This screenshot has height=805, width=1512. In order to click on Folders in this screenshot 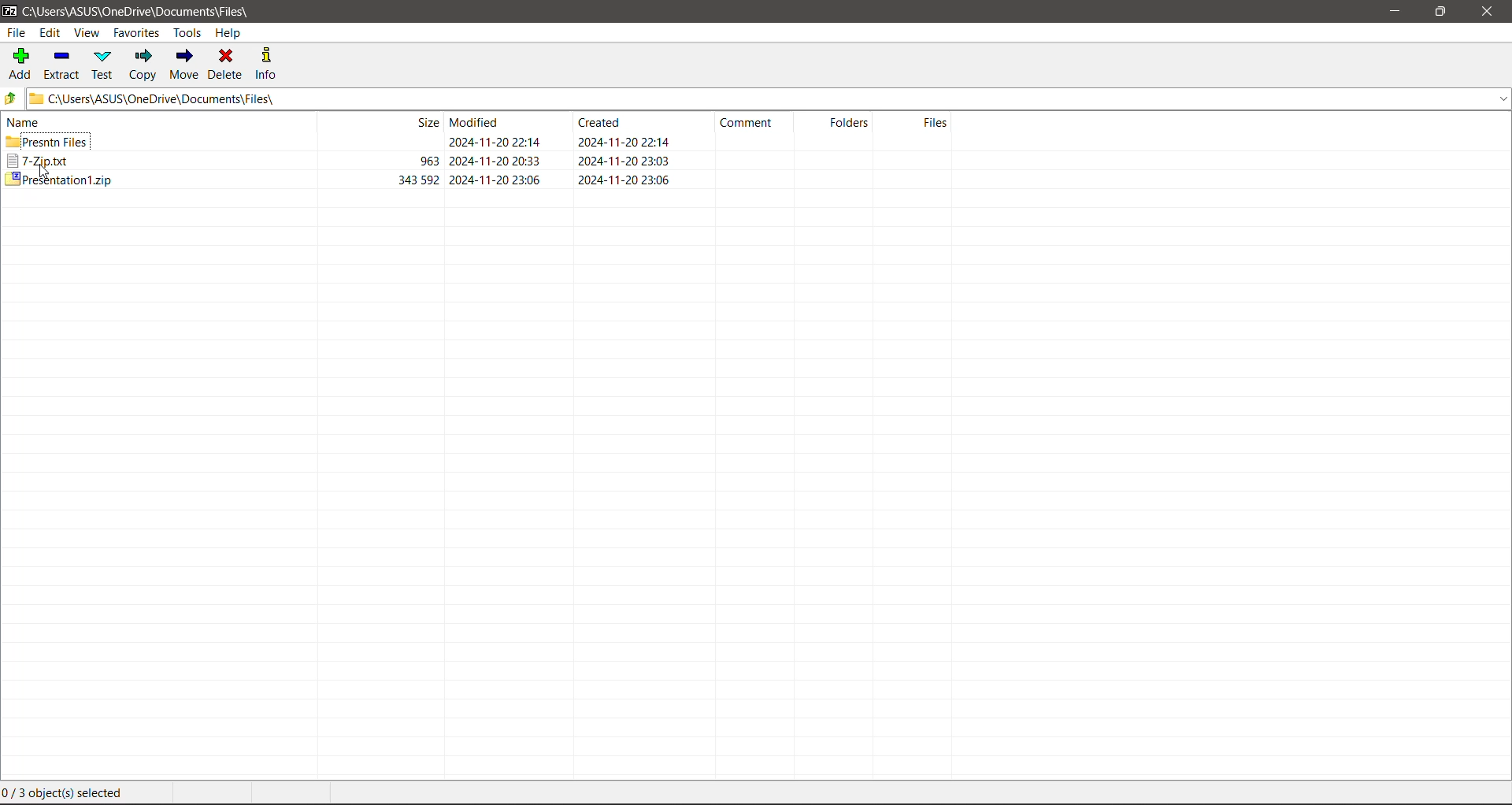, I will do `click(848, 123)`.